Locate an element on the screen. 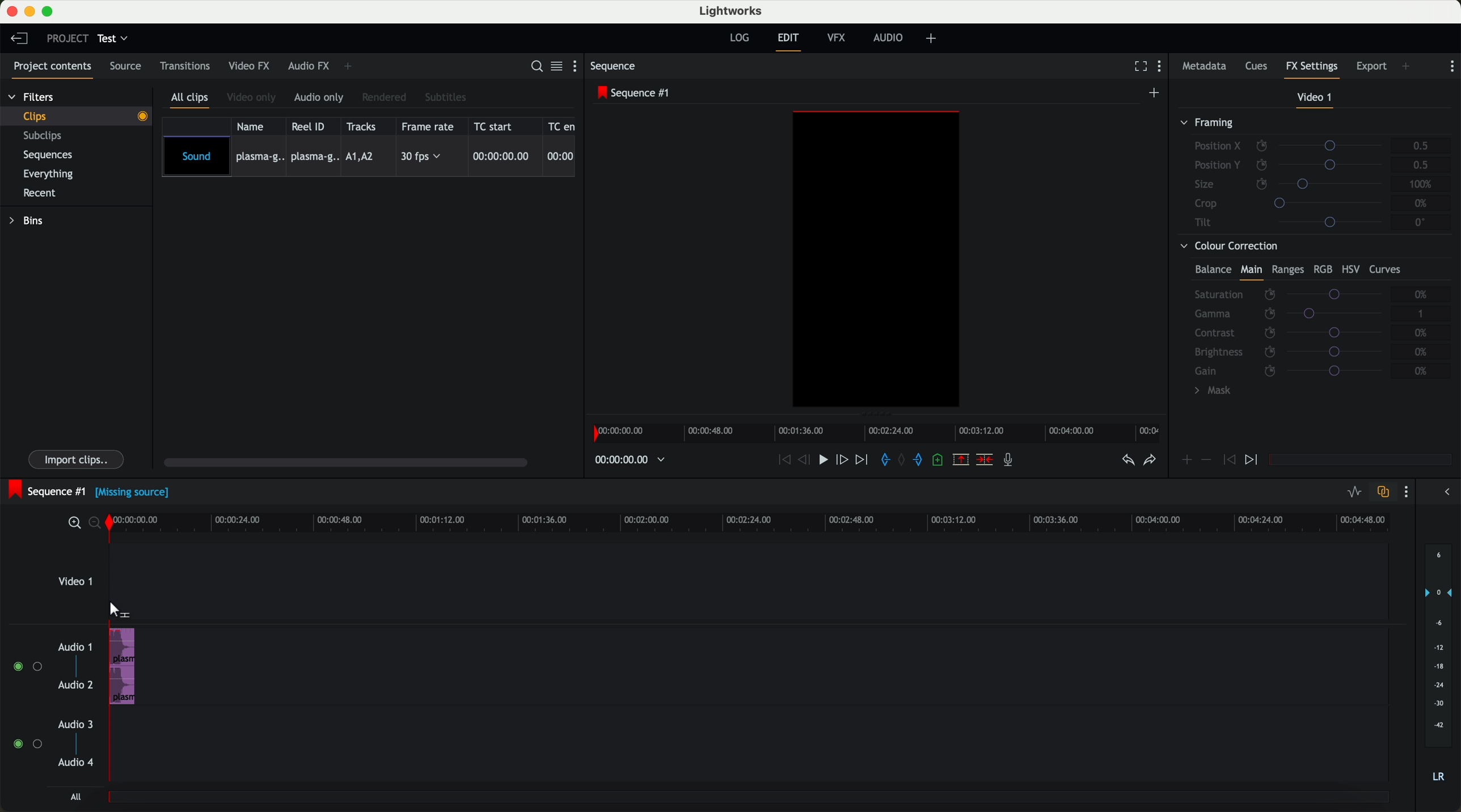  name is located at coordinates (254, 126).